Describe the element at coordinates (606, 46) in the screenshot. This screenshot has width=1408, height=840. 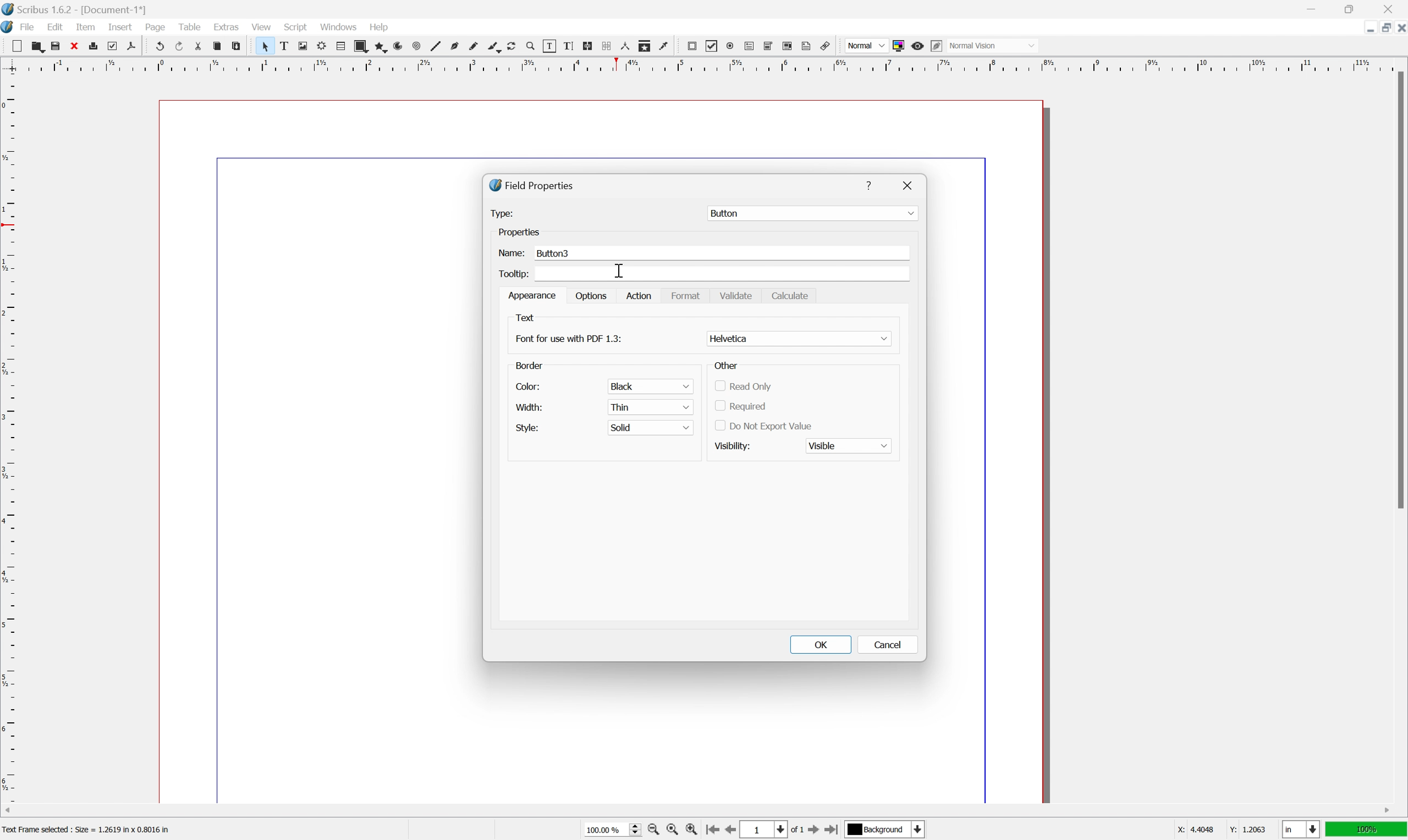
I see `unlink text frames` at that location.